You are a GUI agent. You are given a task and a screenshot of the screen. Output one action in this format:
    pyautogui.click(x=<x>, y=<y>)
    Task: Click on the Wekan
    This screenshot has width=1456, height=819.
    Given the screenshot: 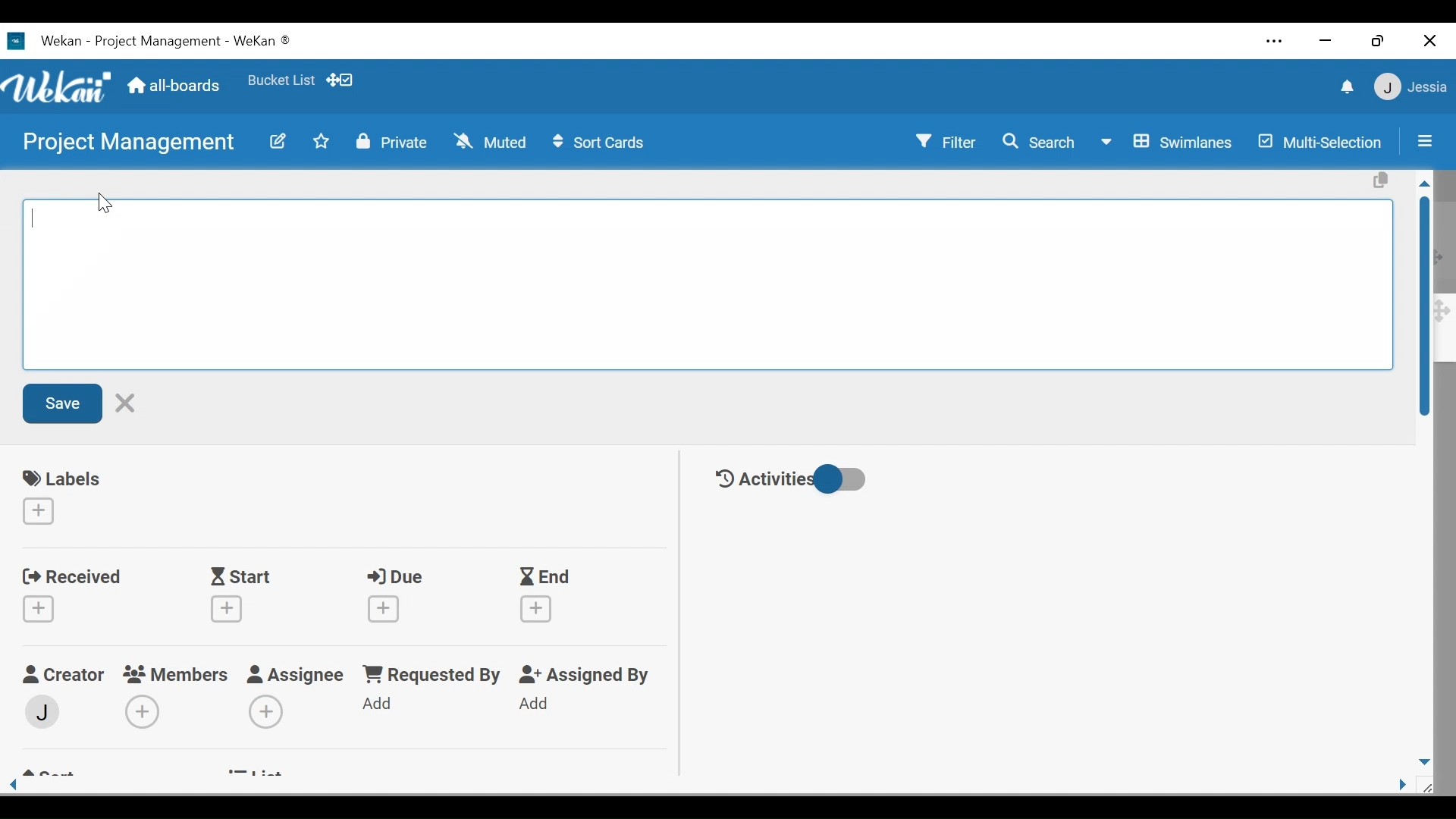 What is the action you would take?
    pyautogui.click(x=262, y=42)
    